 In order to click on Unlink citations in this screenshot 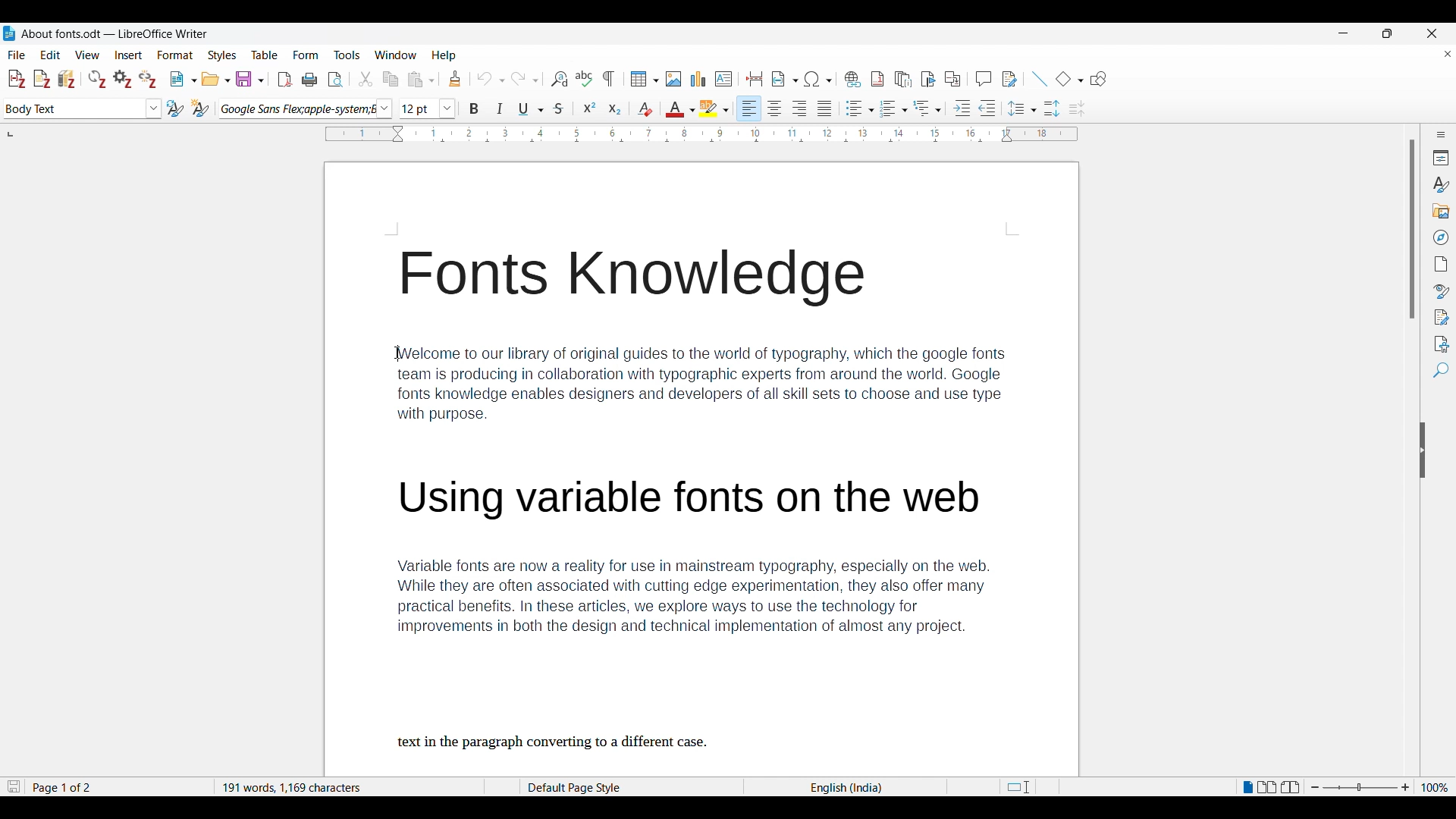, I will do `click(148, 79)`.